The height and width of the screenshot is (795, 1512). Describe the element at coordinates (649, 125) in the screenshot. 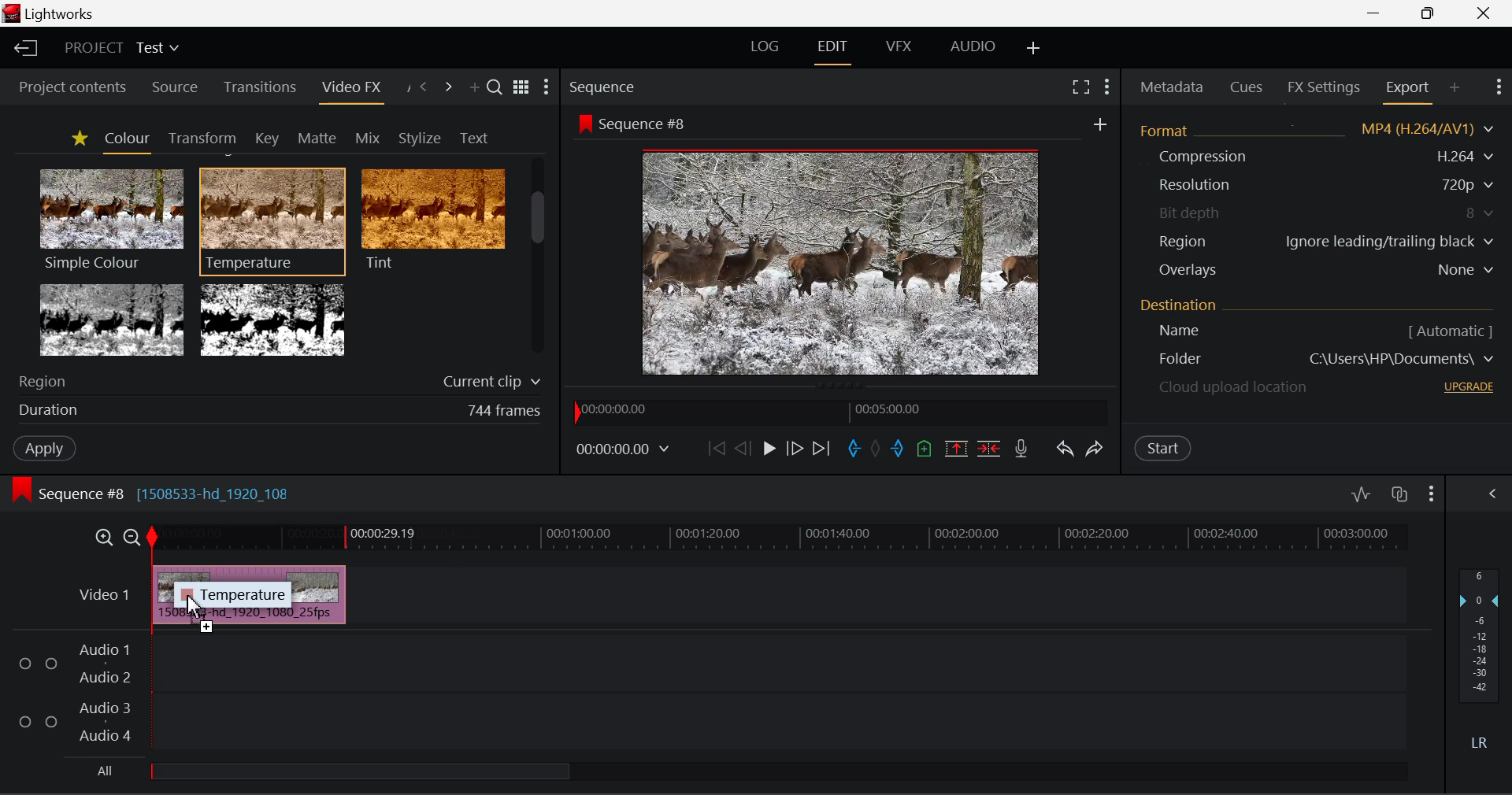

I see `Sequence #8` at that location.